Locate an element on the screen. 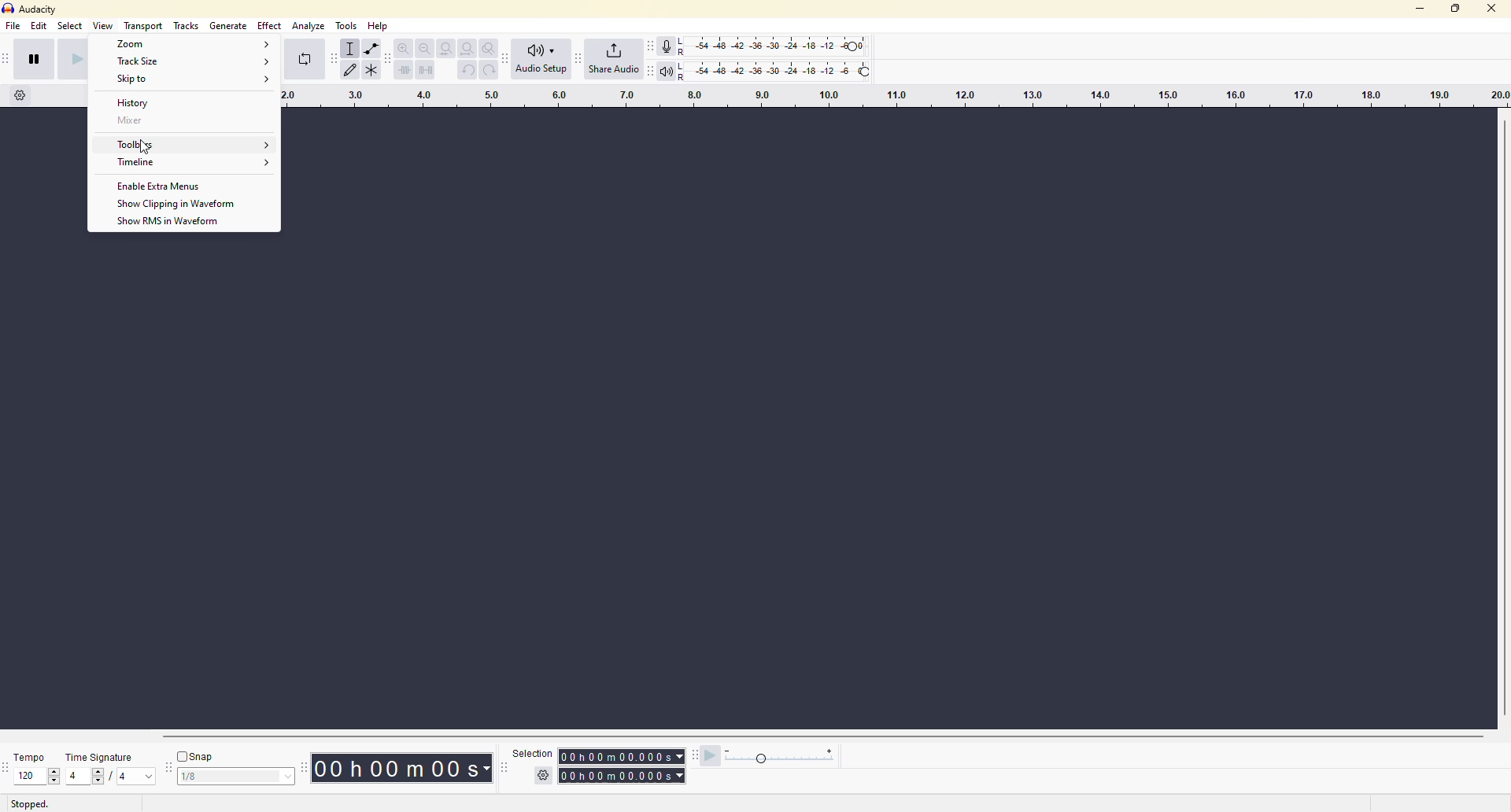  timeline options is located at coordinates (21, 98).